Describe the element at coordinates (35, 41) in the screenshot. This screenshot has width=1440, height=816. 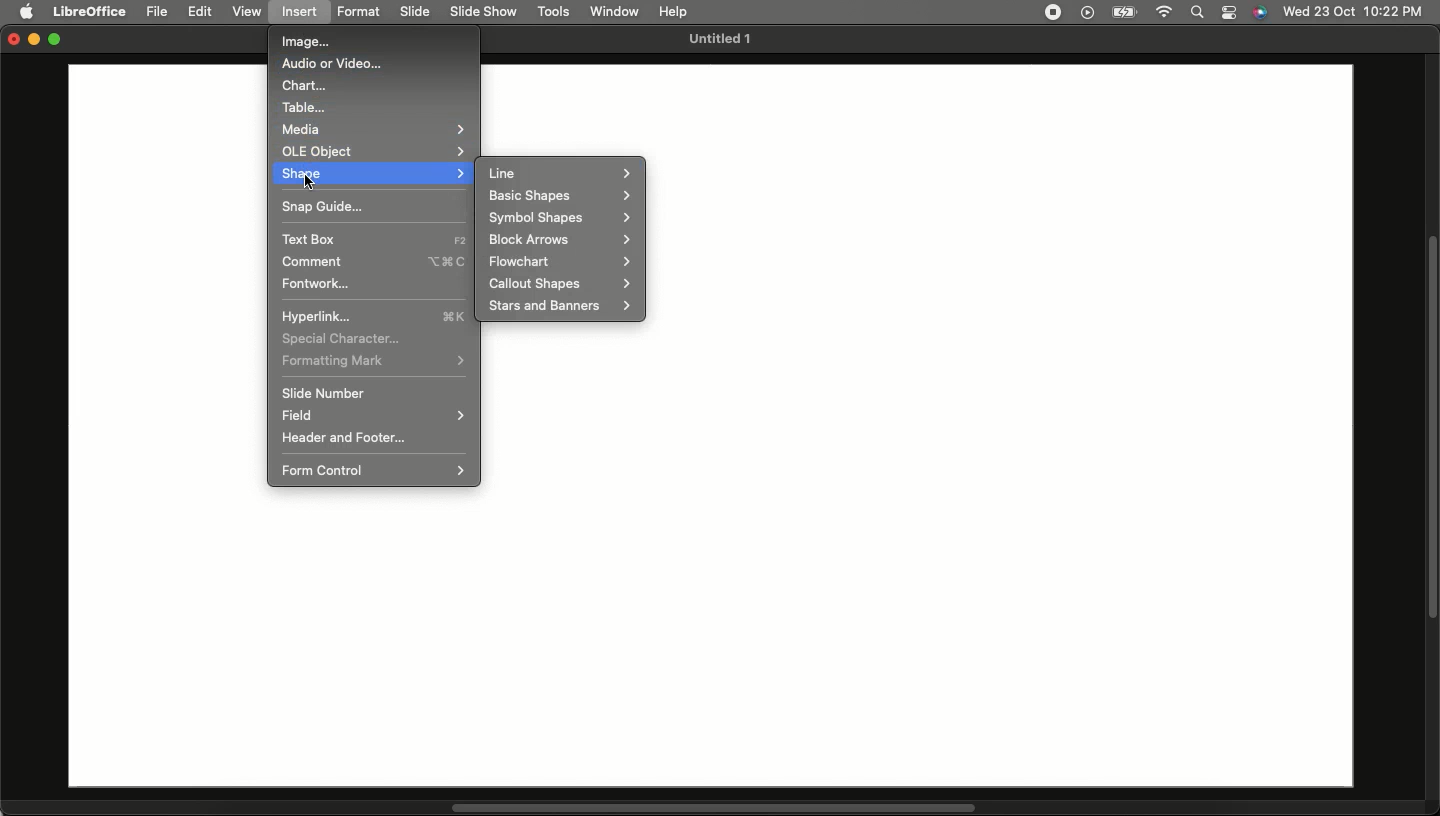
I see `Minimize` at that location.